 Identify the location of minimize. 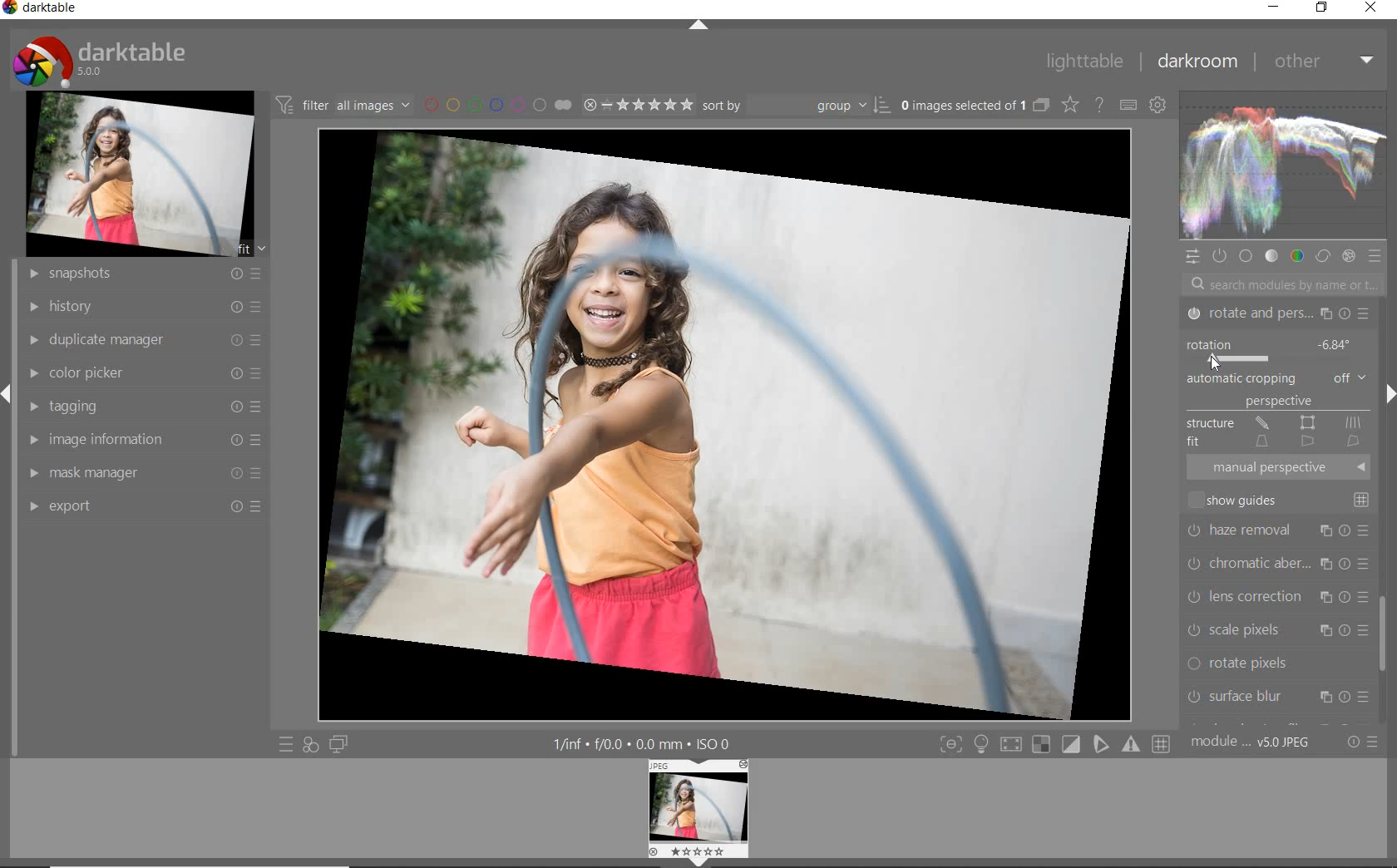
(1272, 7).